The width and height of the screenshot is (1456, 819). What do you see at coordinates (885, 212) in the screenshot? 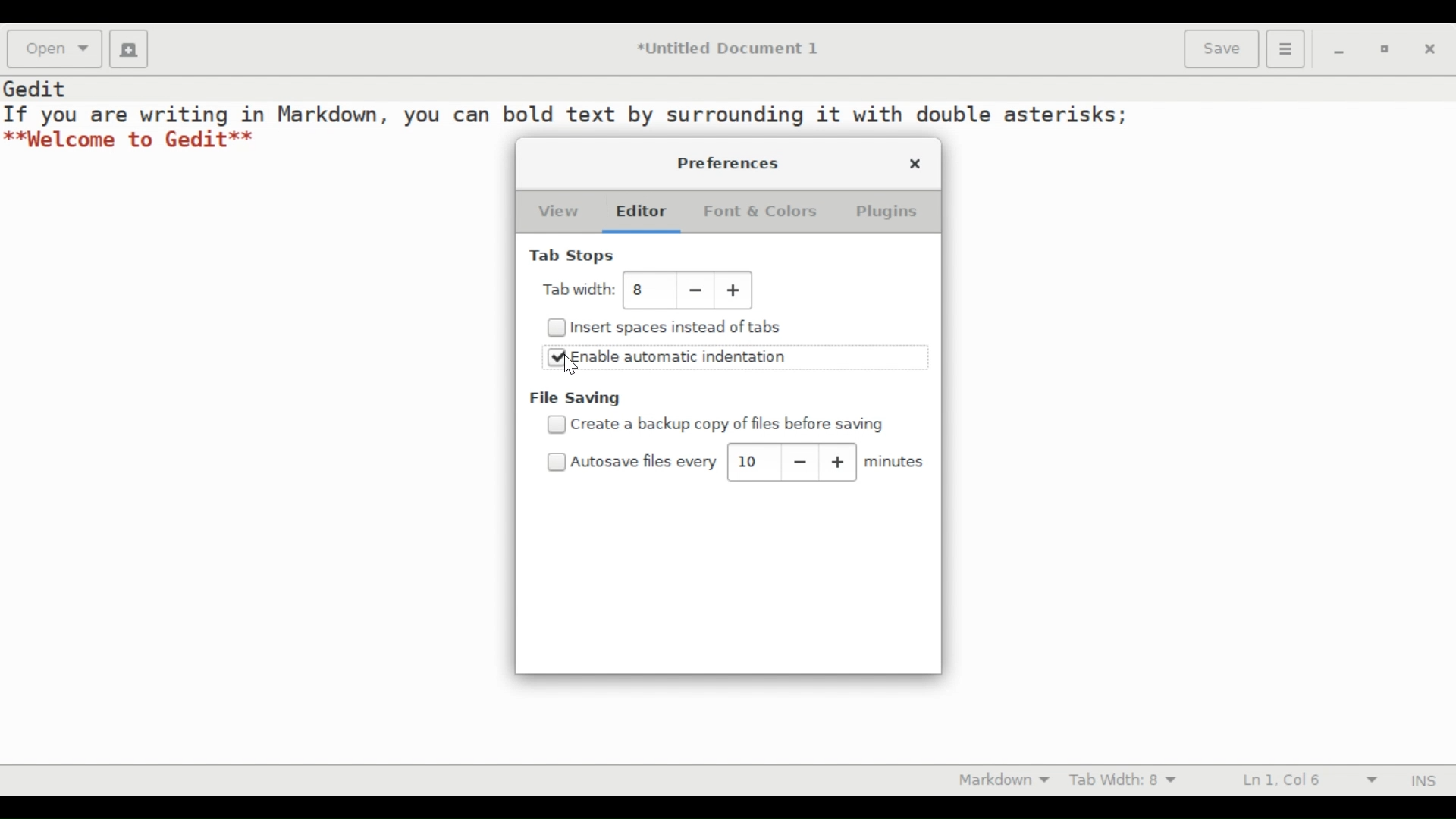
I see `Plugins` at bounding box center [885, 212].